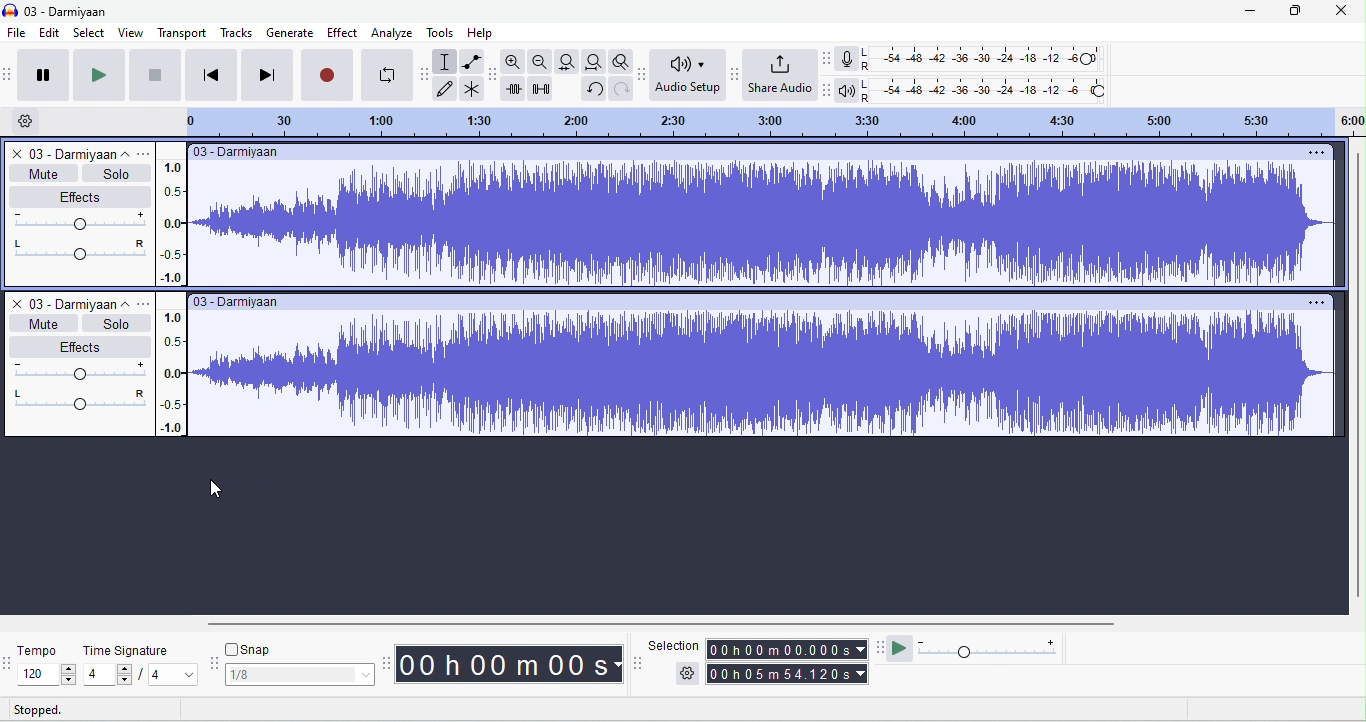  What do you see at coordinates (476, 62) in the screenshot?
I see `envelop` at bounding box center [476, 62].